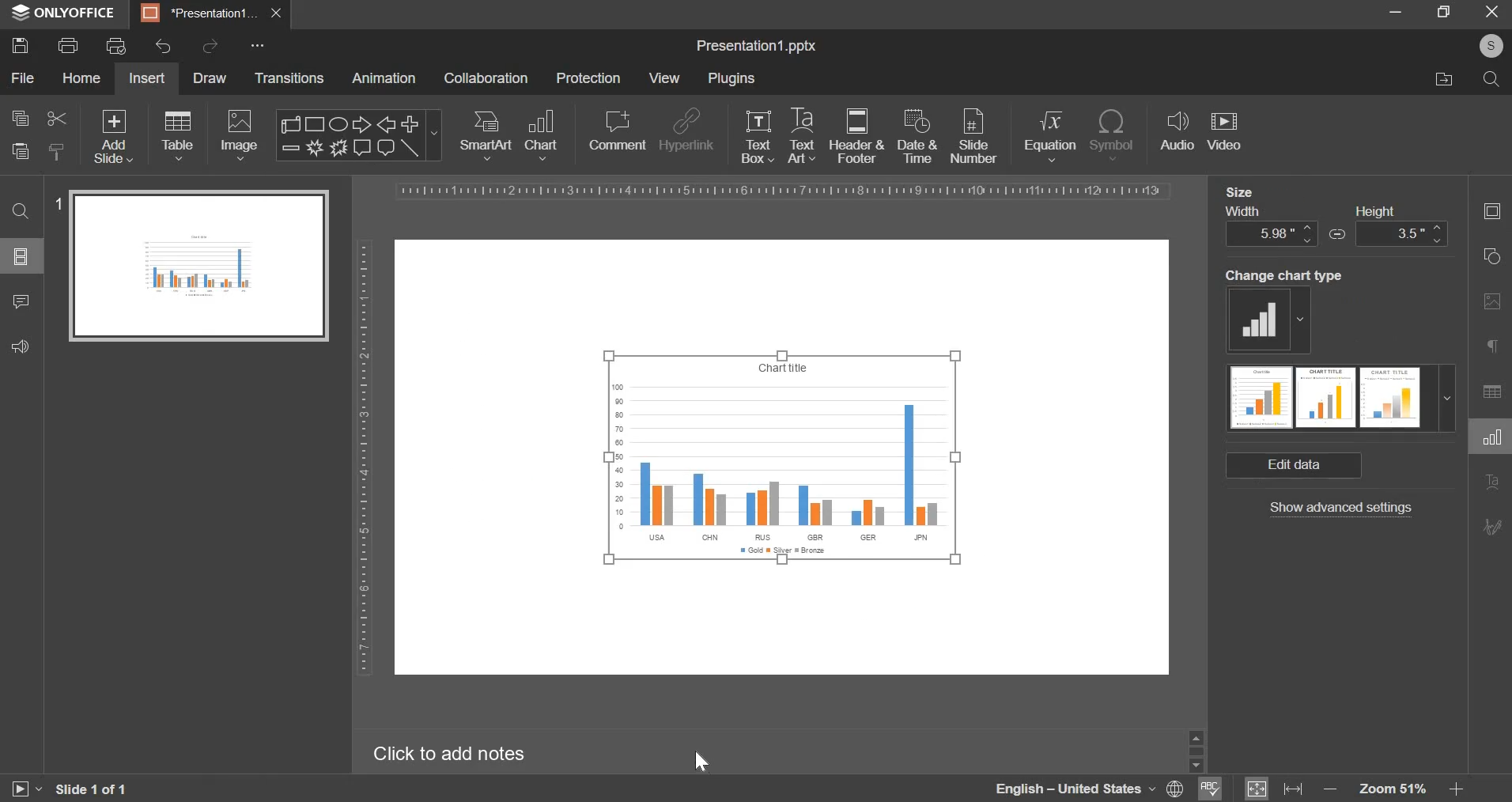 This screenshot has height=802, width=1512. Describe the element at coordinates (1049, 134) in the screenshot. I see `equation` at that location.